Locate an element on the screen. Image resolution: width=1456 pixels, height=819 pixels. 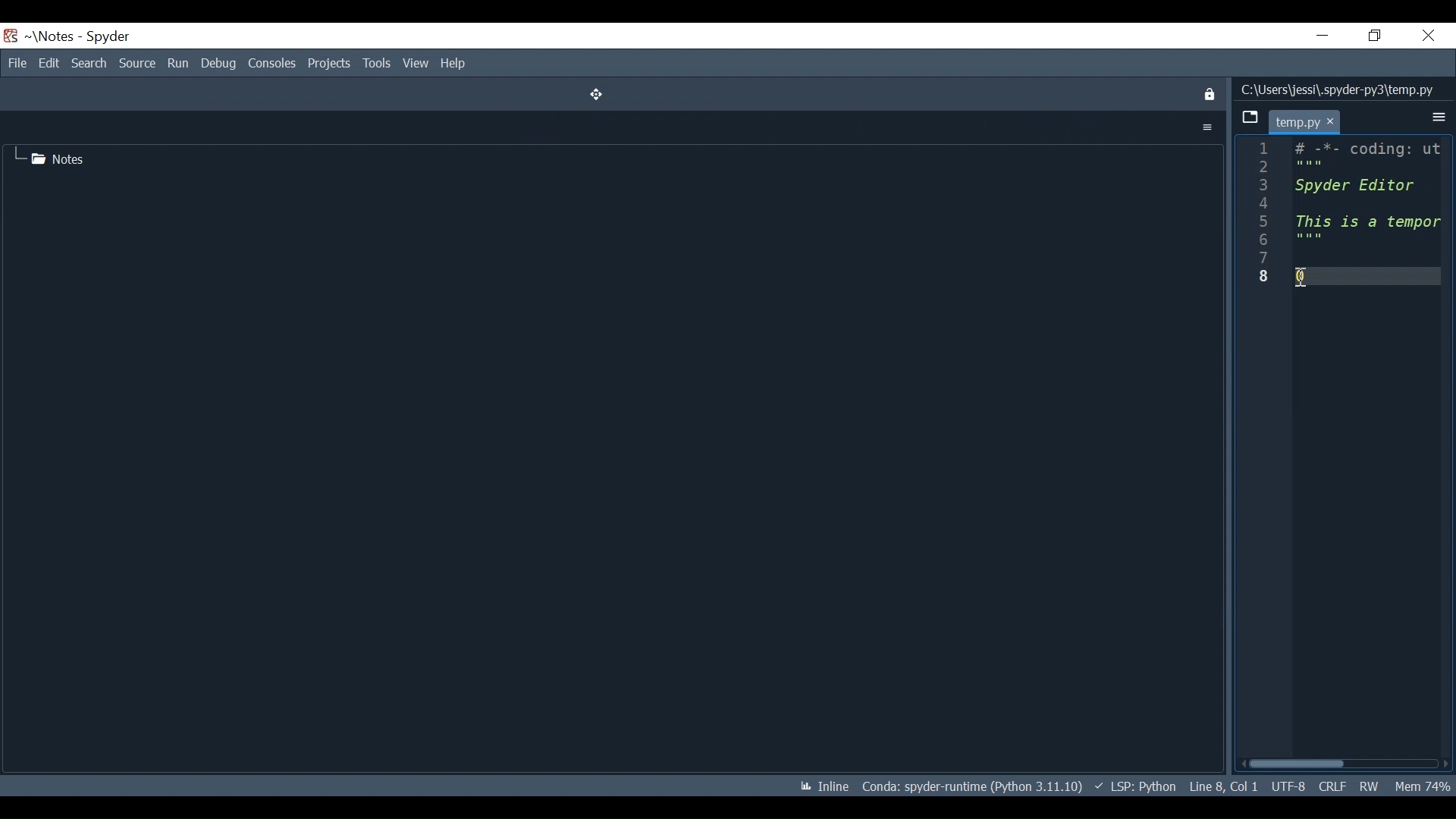
Close is located at coordinates (1429, 36).